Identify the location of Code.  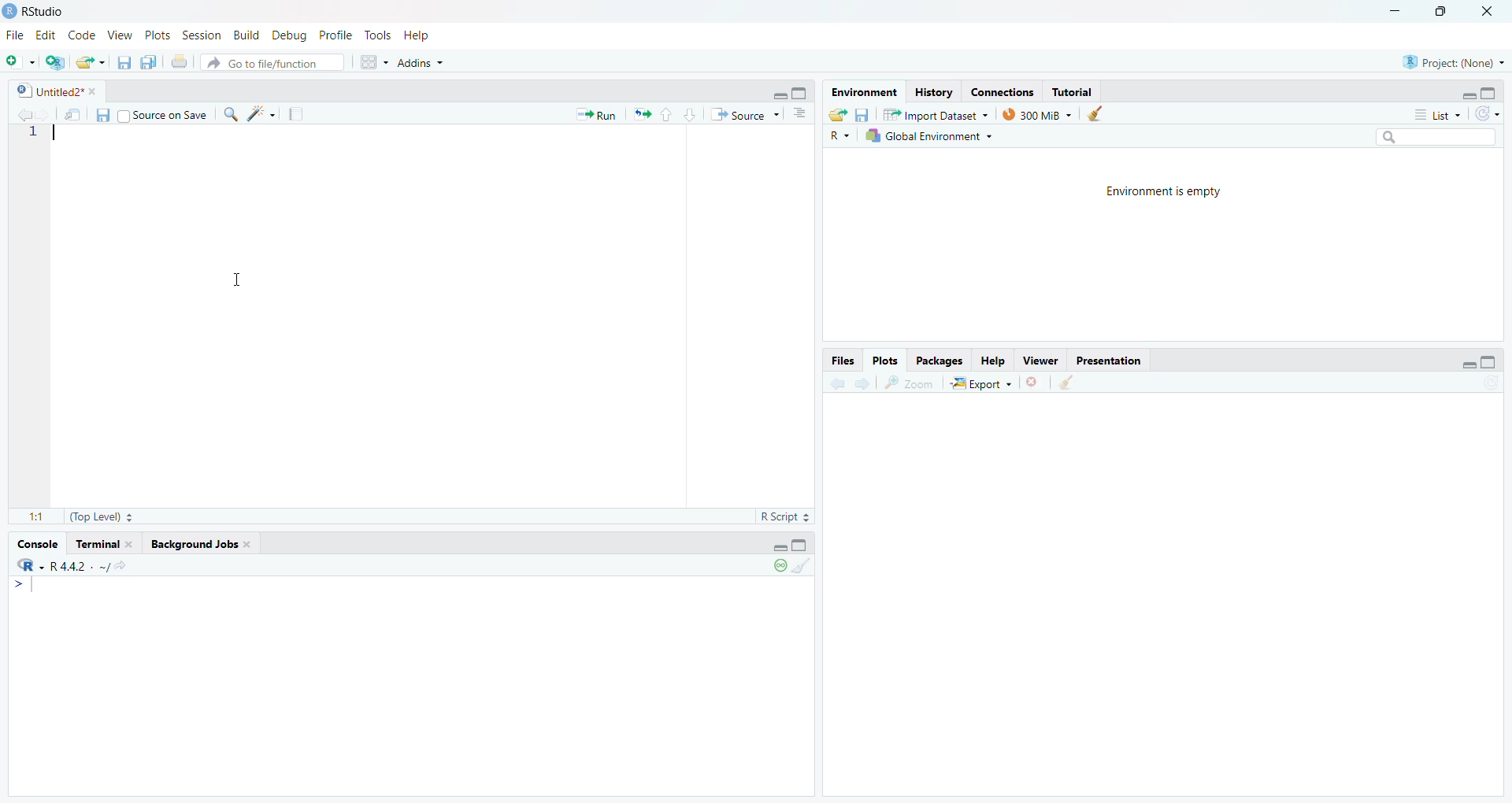
(81, 35).